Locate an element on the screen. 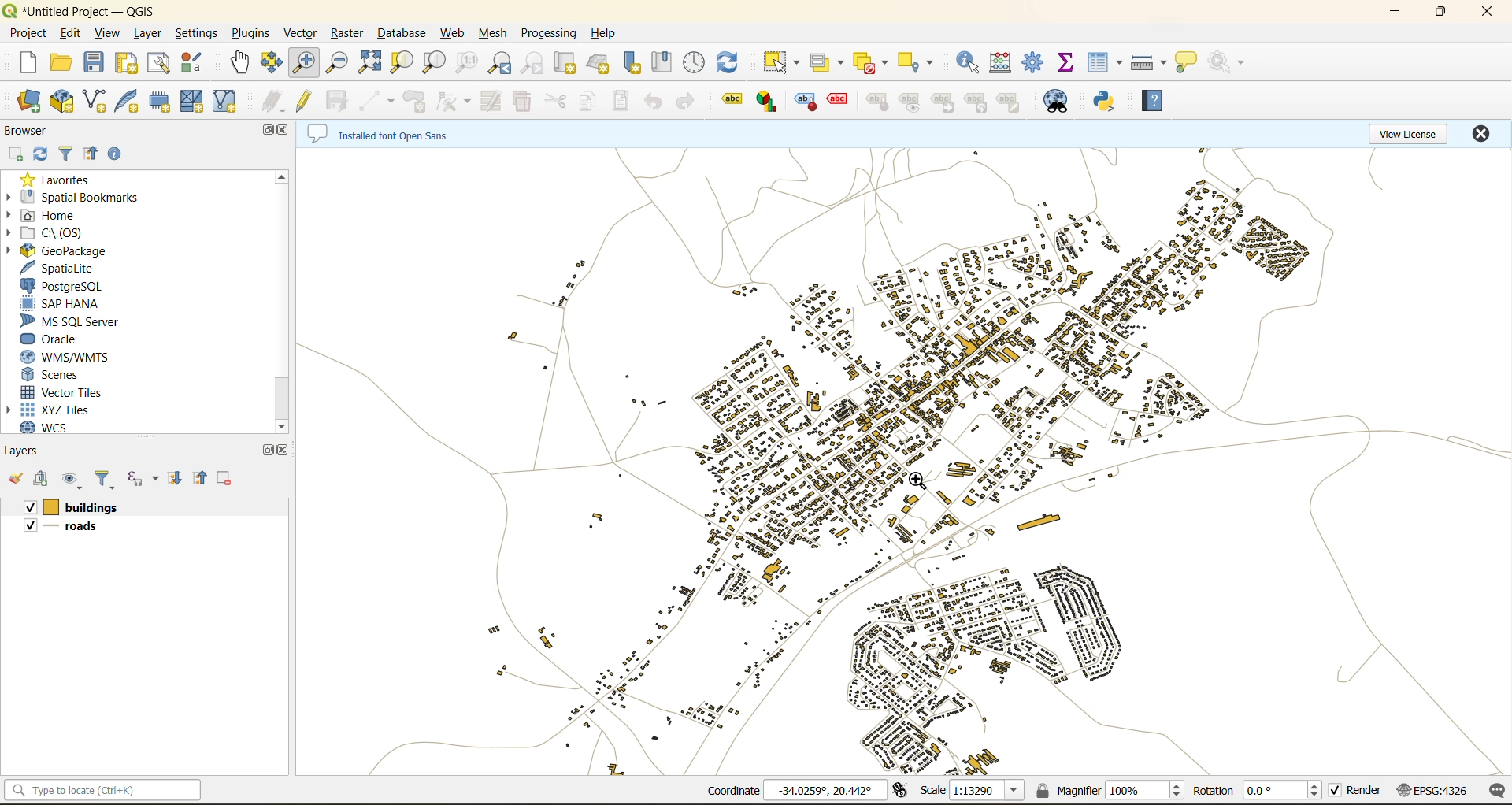 The height and width of the screenshot is (805, 1512). digitize is located at coordinates (376, 100).